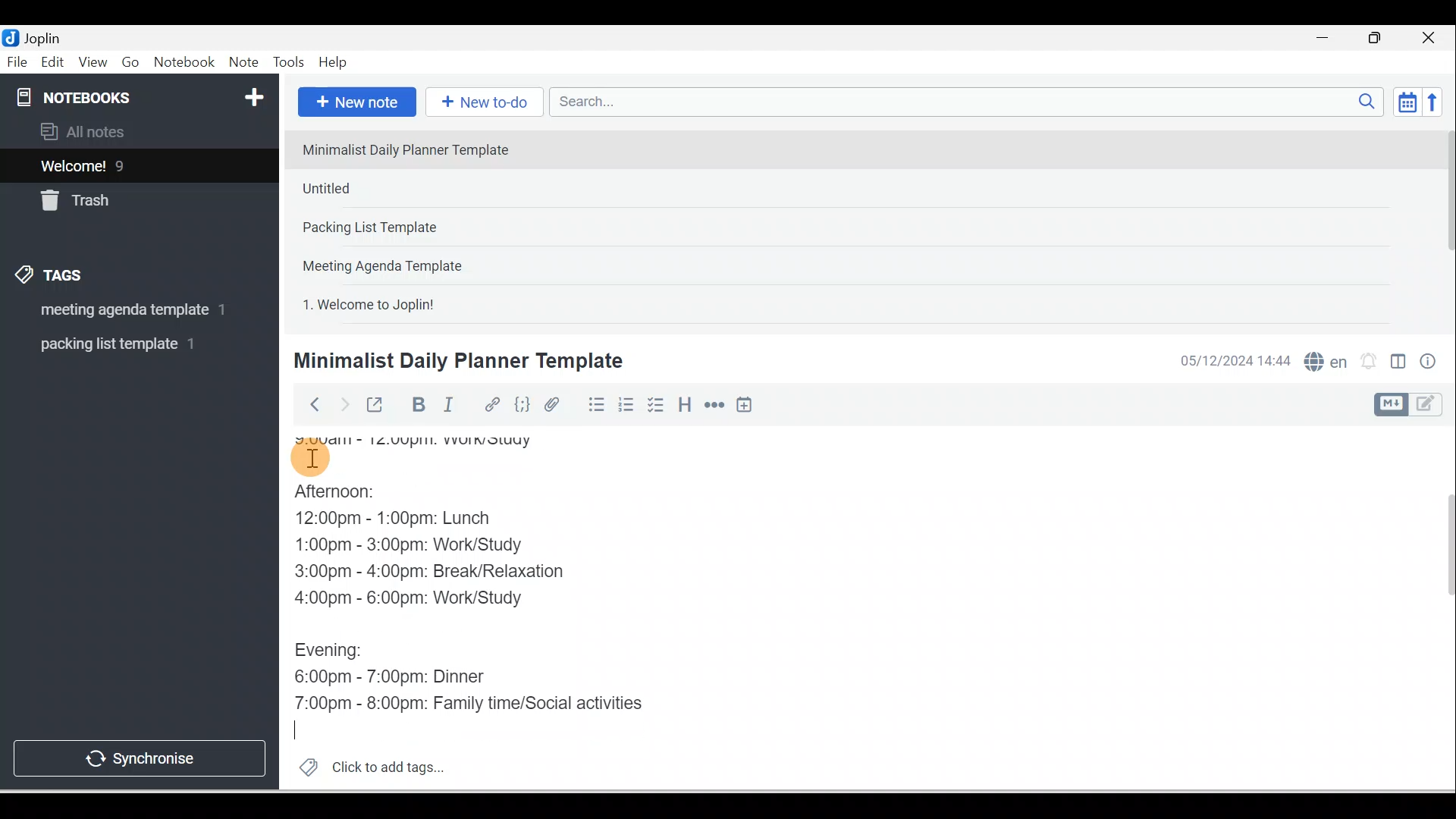 This screenshot has width=1456, height=819. I want to click on New note, so click(354, 103).